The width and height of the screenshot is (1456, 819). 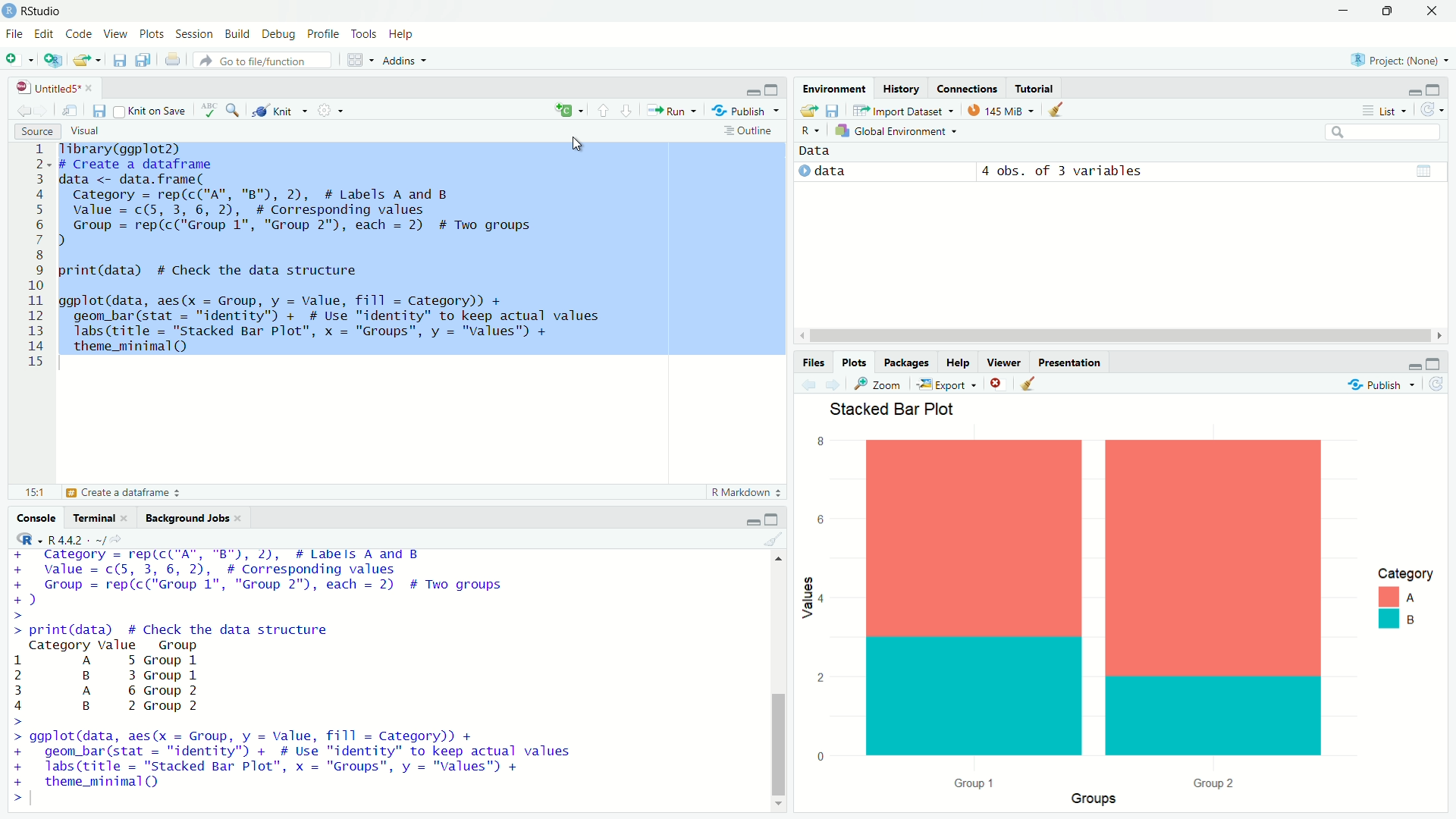 What do you see at coordinates (1411, 365) in the screenshot?
I see `Minimize` at bounding box center [1411, 365].